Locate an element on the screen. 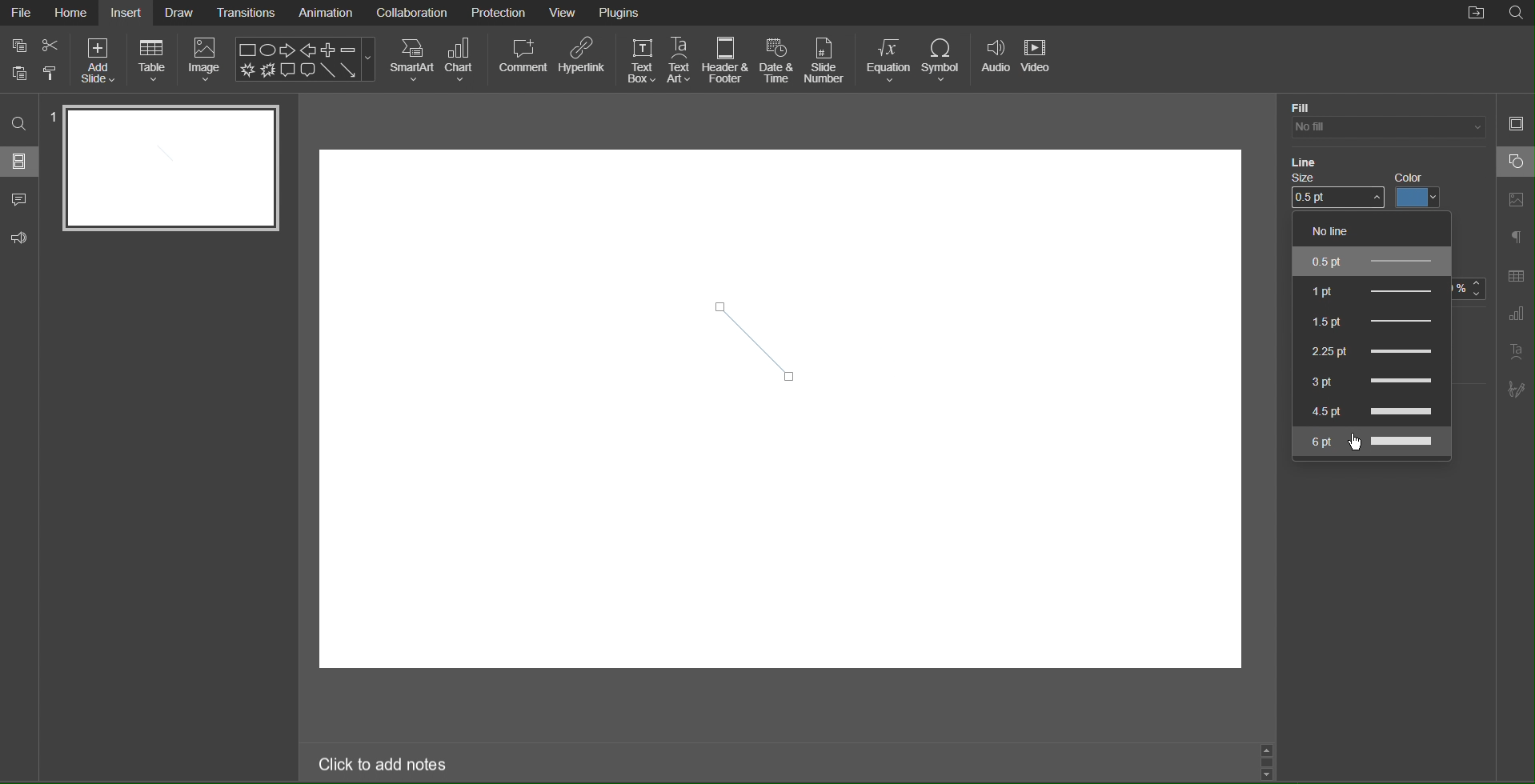 This screenshot has width=1535, height=784. Header & Footer is located at coordinates (727, 61).